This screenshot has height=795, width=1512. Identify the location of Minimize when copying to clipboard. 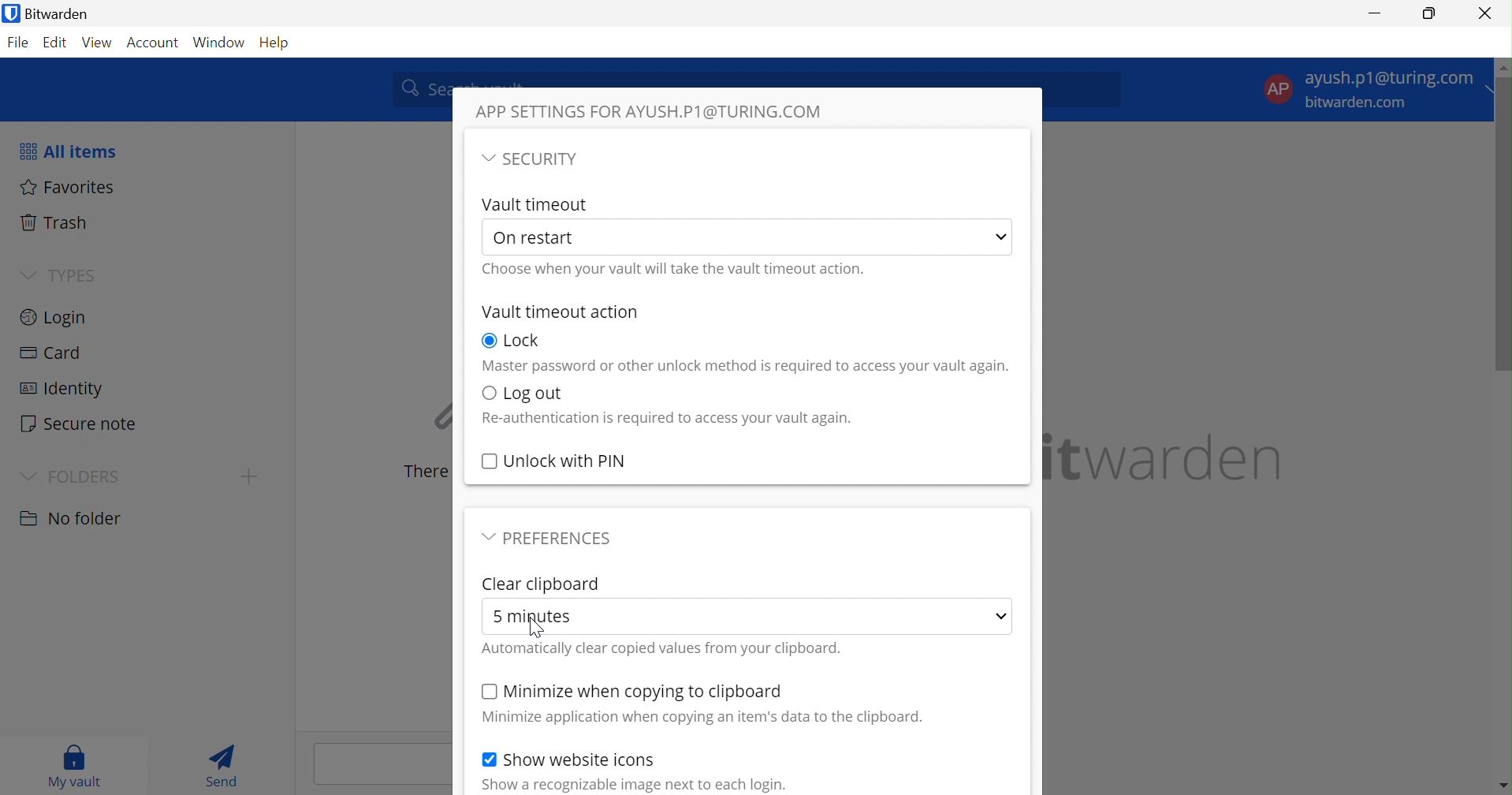
(645, 692).